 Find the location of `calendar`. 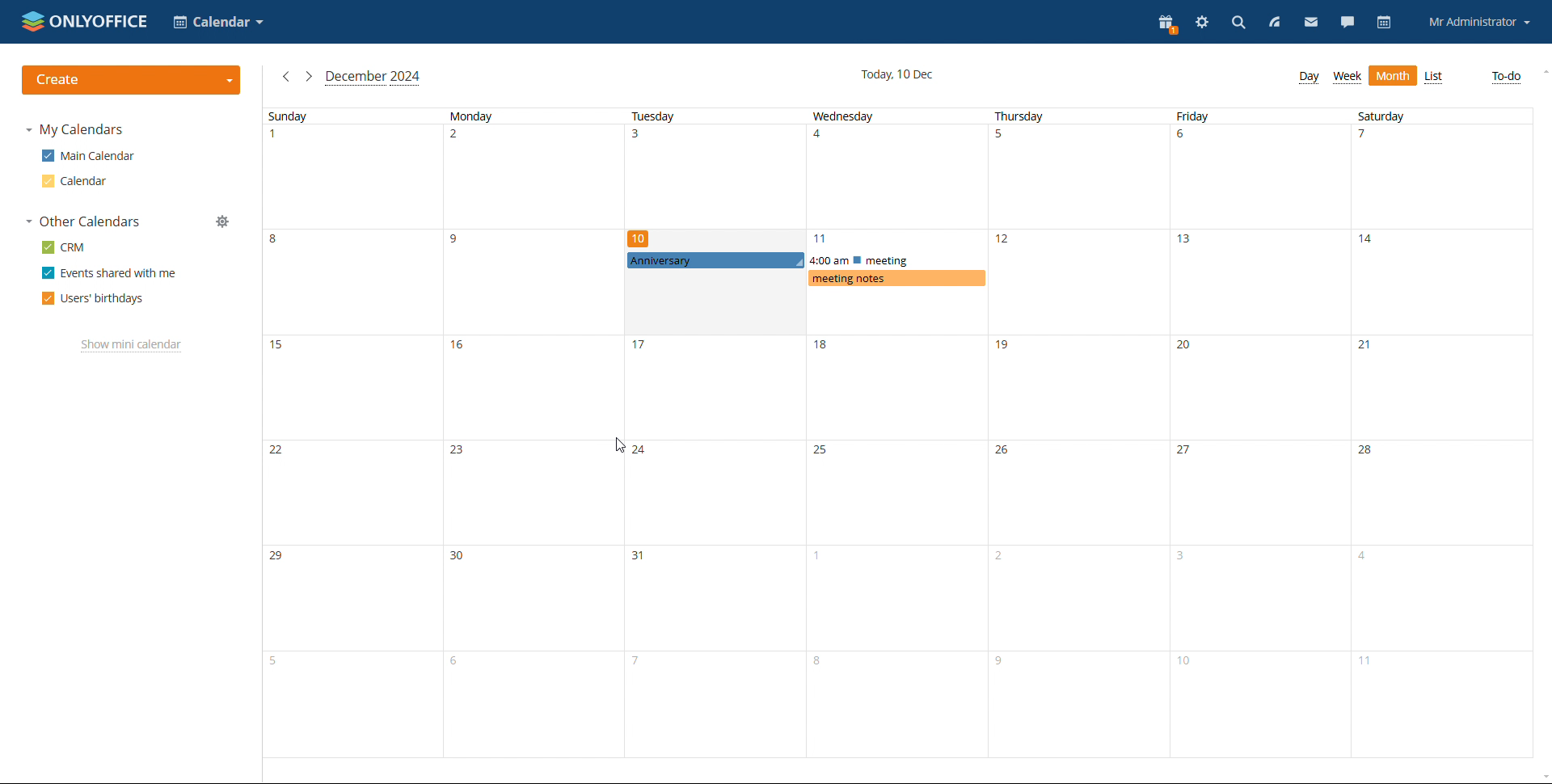

calendar is located at coordinates (76, 181).